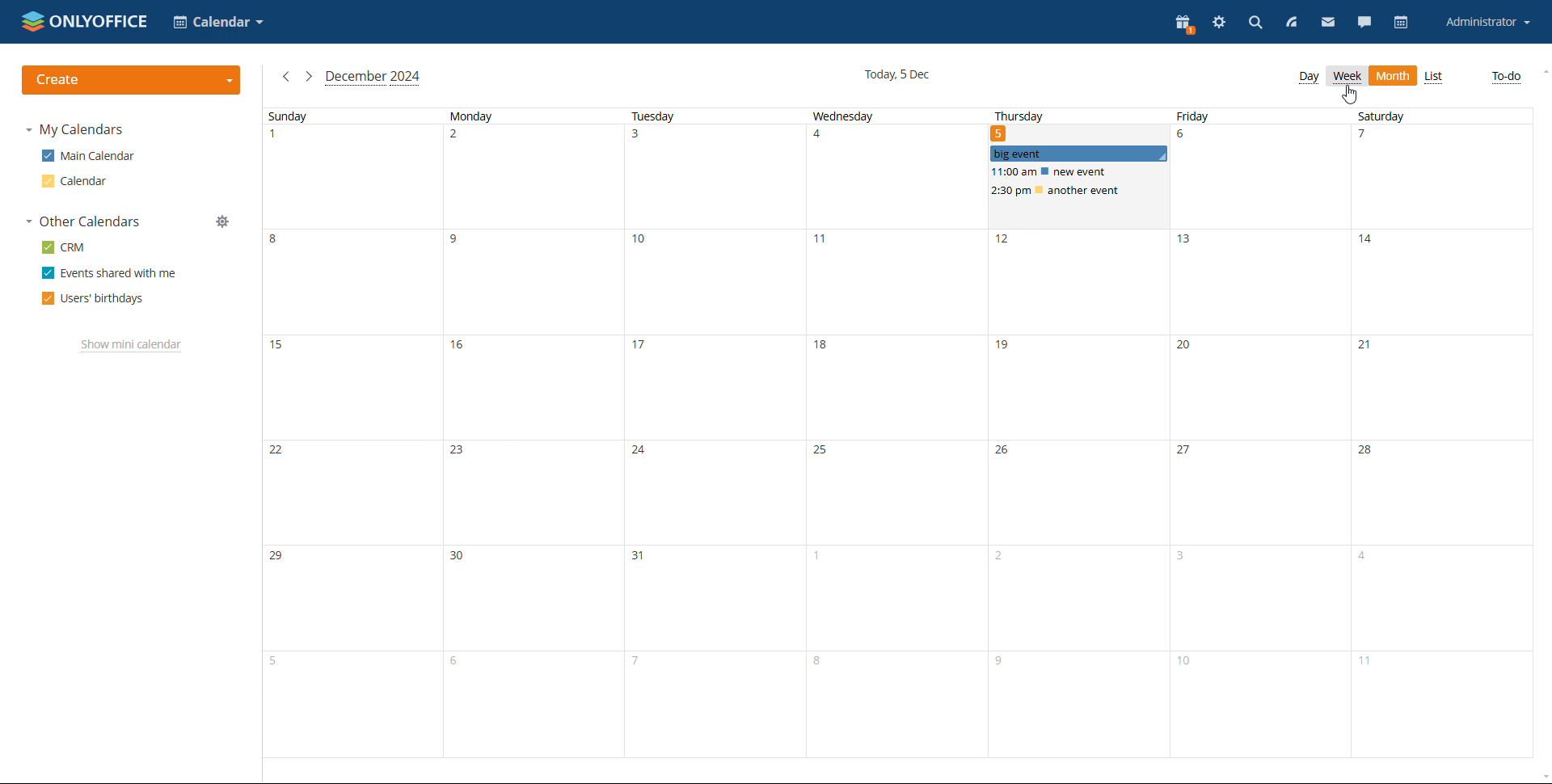 This screenshot has height=784, width=1552. I want to click on present, so click(1182, 23).